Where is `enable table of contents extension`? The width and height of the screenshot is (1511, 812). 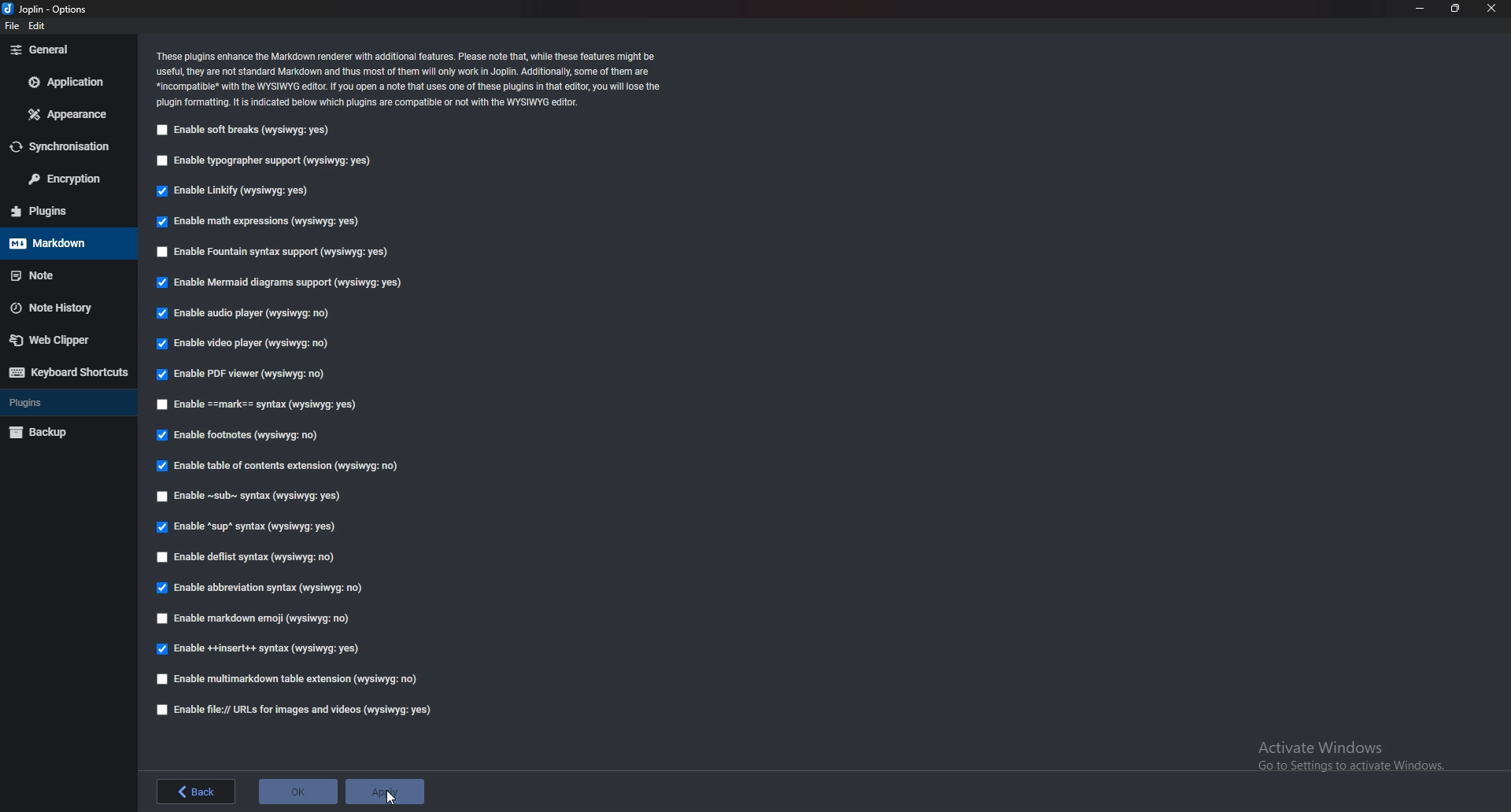 enable table of contents extension is located at coordinates (286, 467).